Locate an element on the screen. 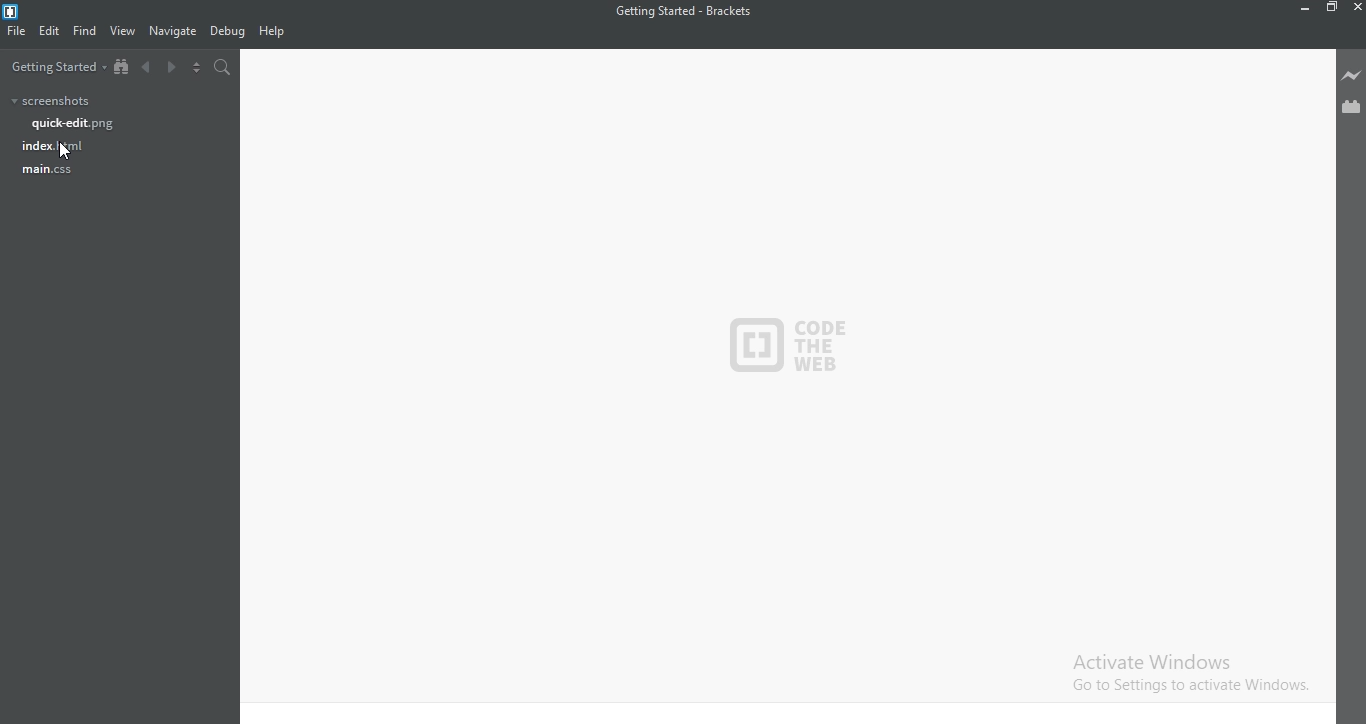 Image resolution: width=1366 pixels, height=724 pixels. find is located at coordinates (86, 30).